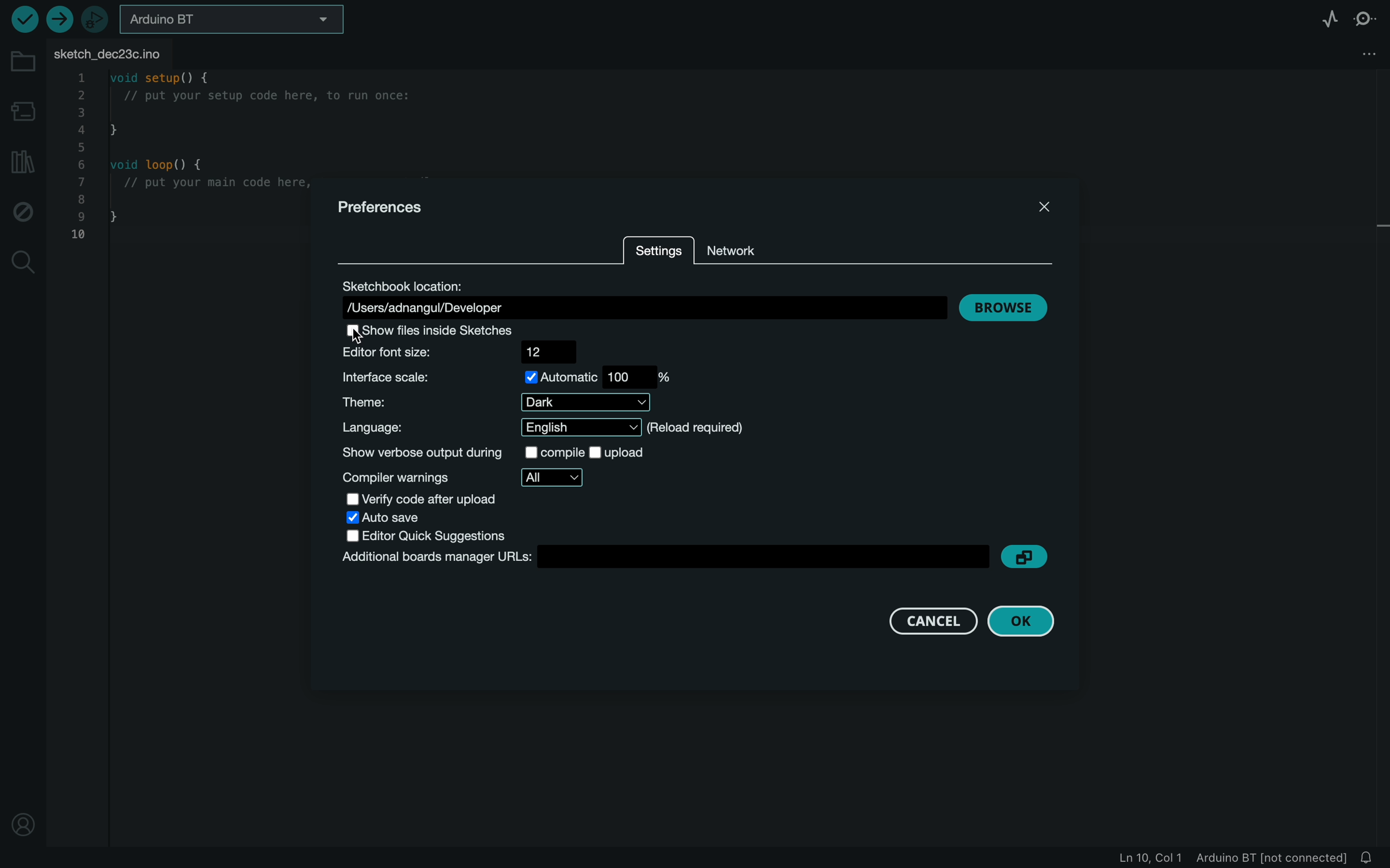 The image size is (1390, 868). I want to click on serial plotter, so click(1322, 17).